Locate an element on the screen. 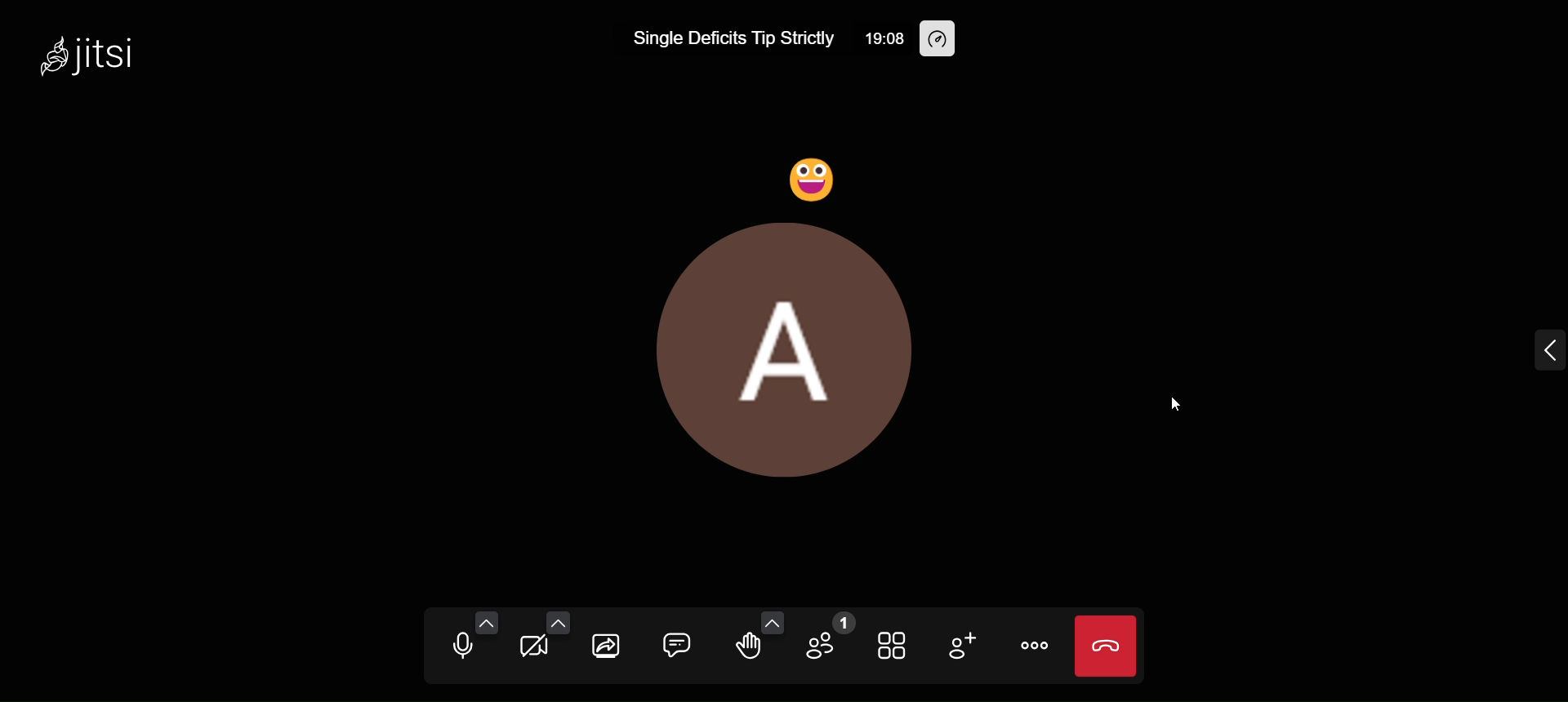 The image size is (1568, 702). invite people is located at coordinates (960, 643).